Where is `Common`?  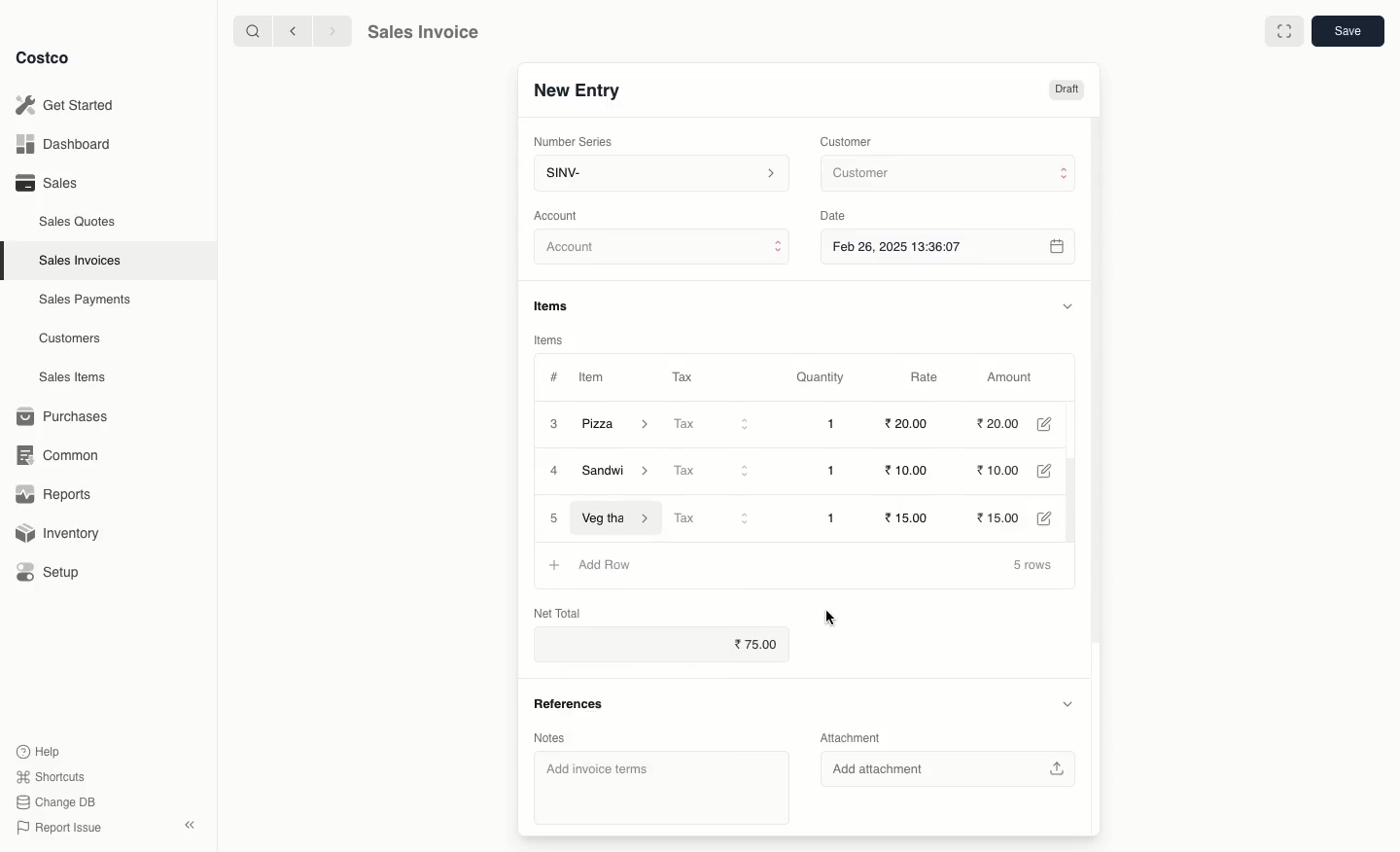 Common is located at coordinates (66, 455).